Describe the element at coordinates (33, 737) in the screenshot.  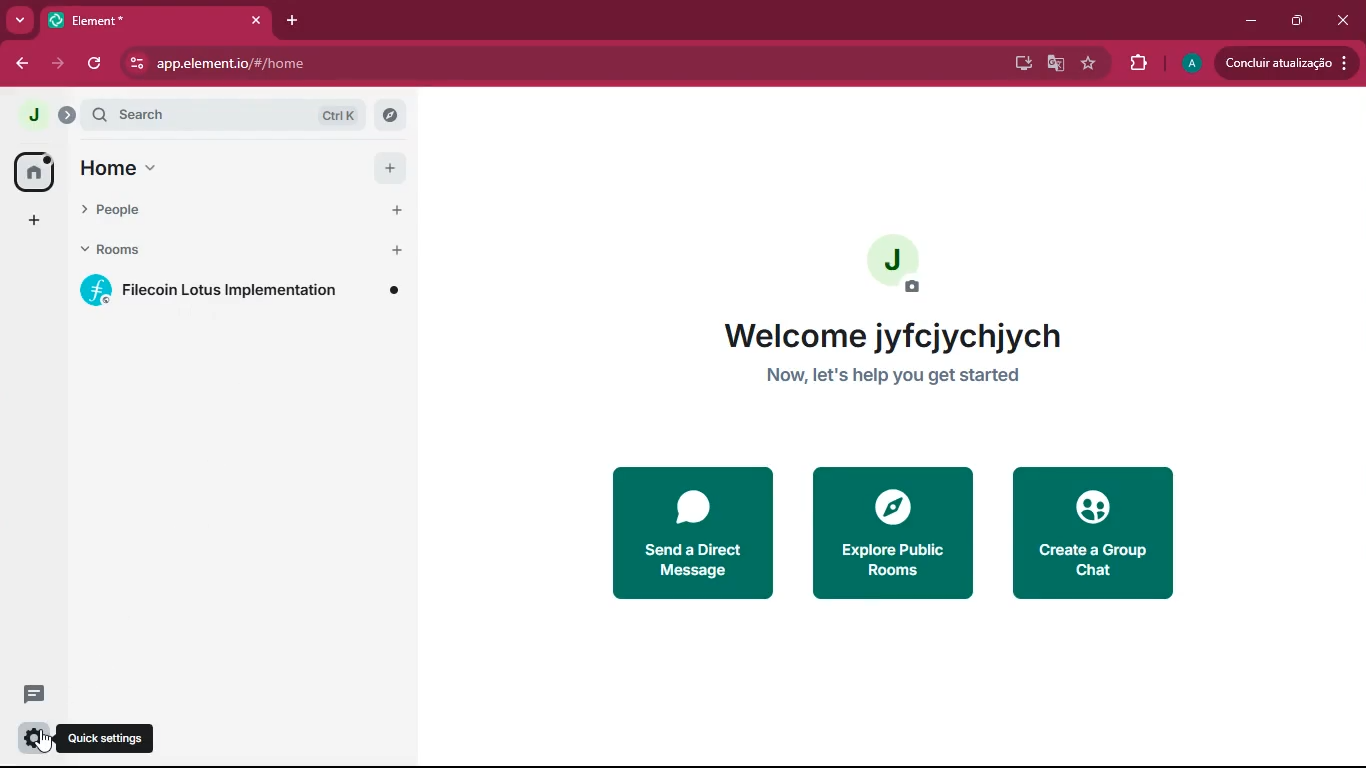
I see `settings` at that location.